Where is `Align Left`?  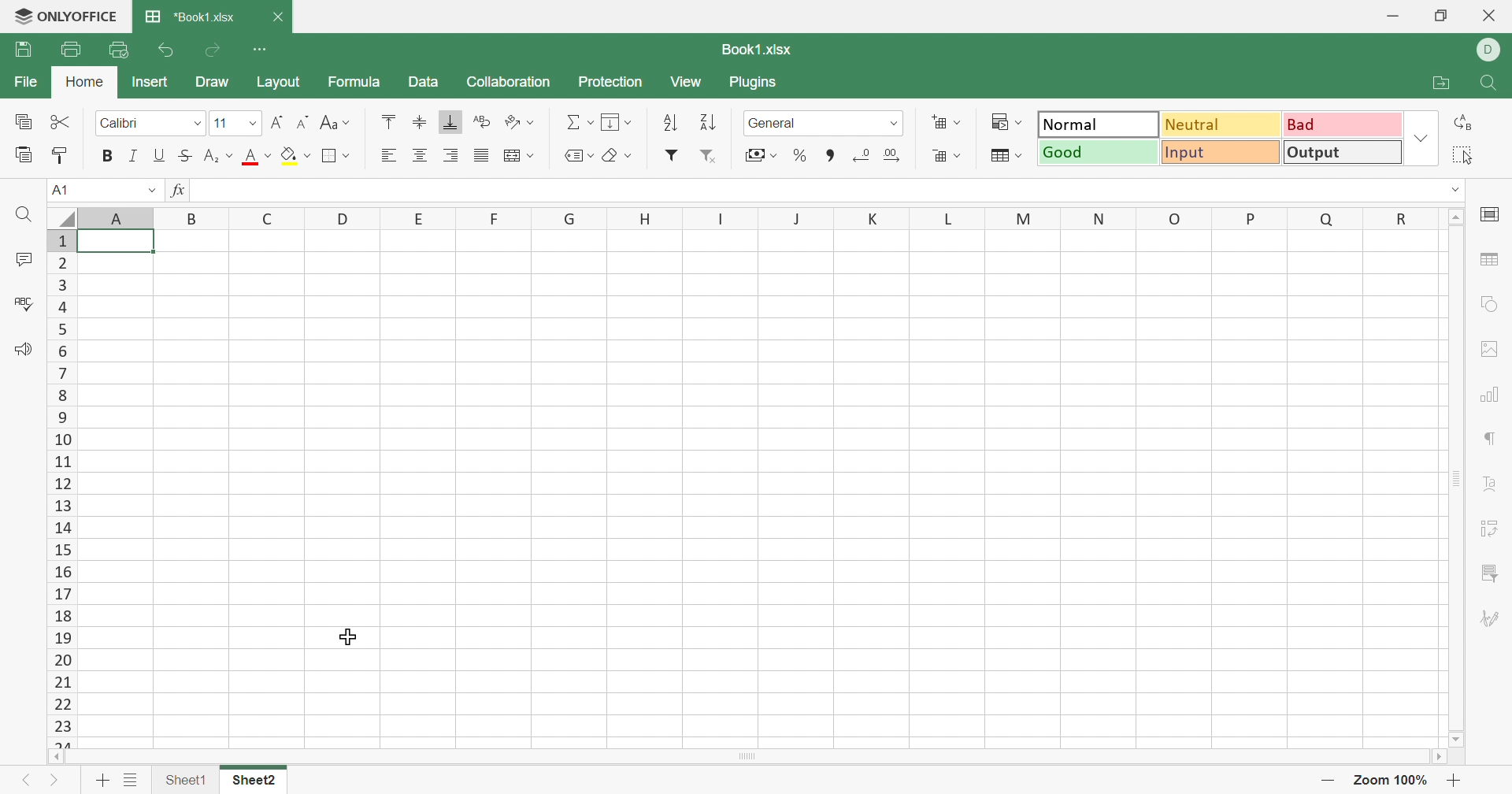
Align Left is located at coordinates (390, 156).